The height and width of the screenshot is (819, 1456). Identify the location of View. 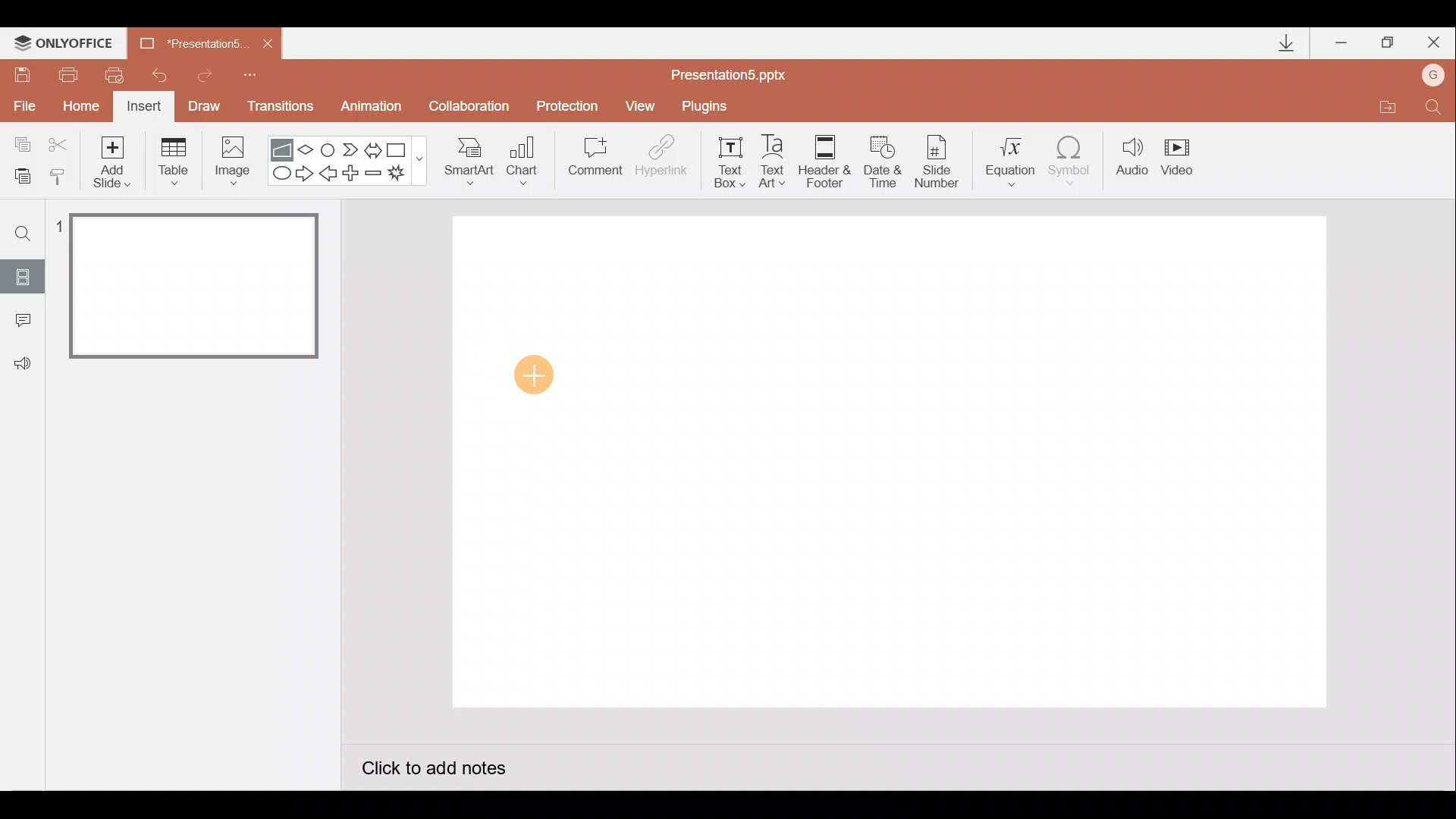
(642, 105).